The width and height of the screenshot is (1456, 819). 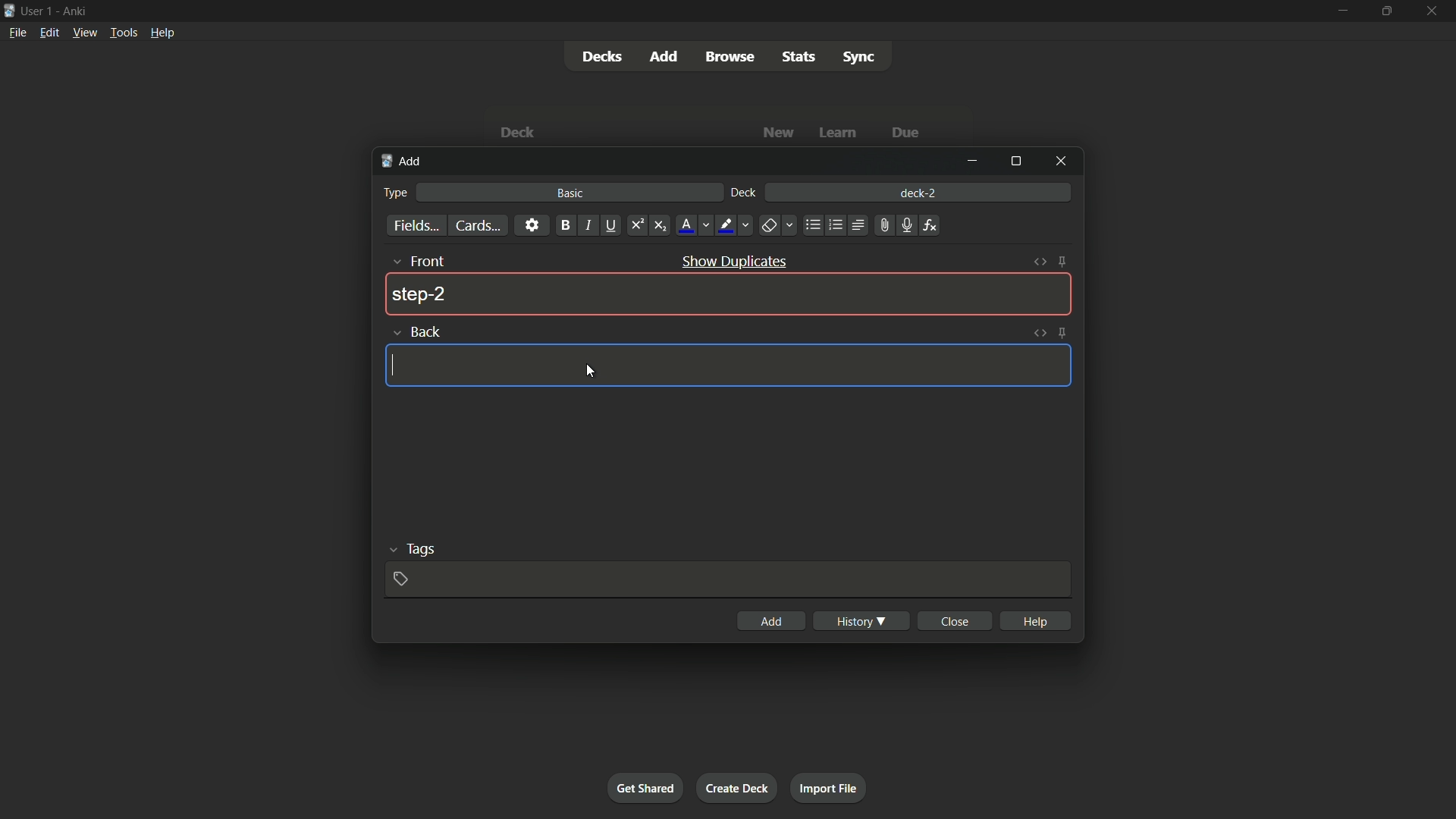 I want to click on front, so click(x=416, y=261).